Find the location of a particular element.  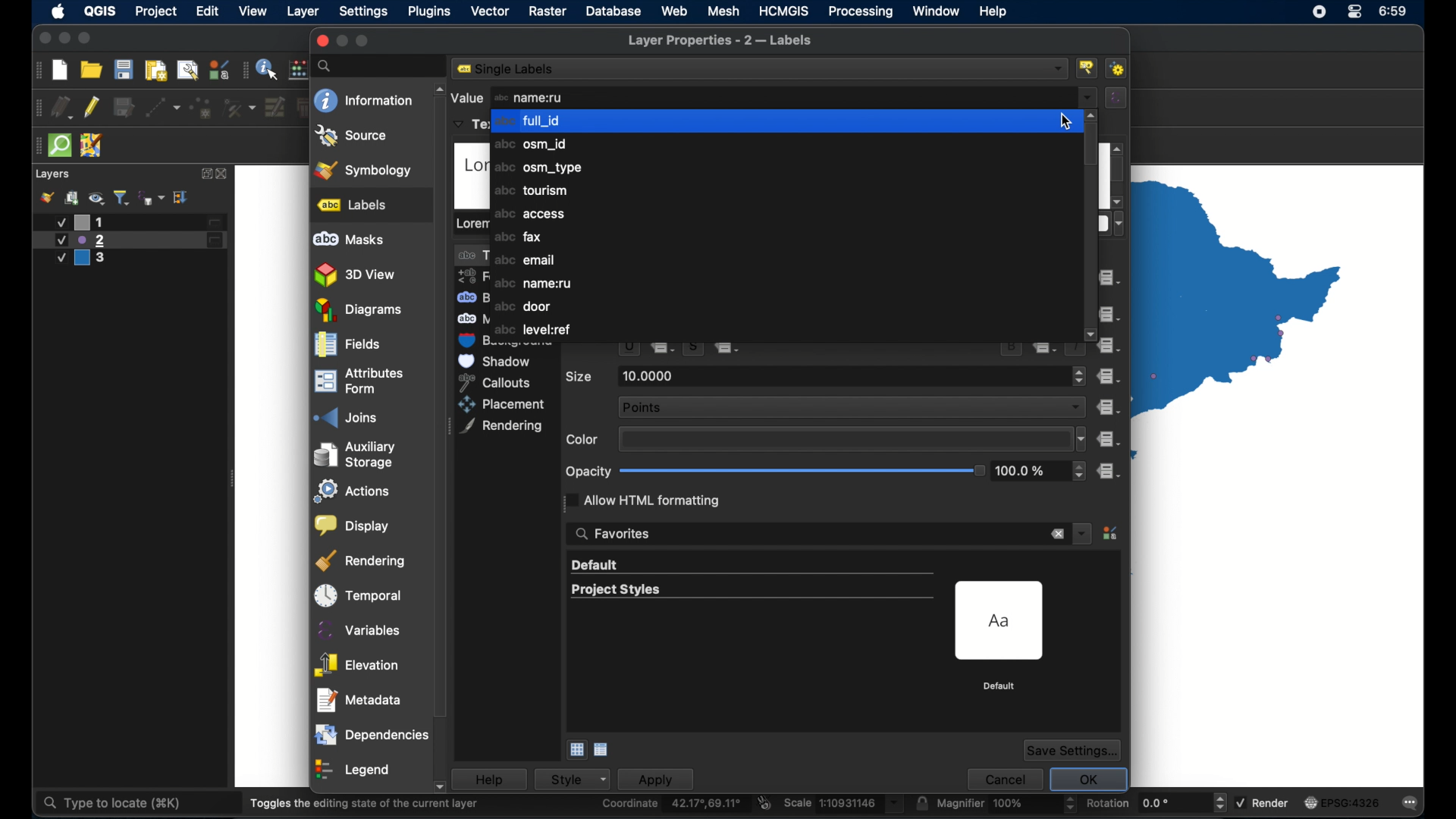

drag handle is located at coordinates (36, 108).